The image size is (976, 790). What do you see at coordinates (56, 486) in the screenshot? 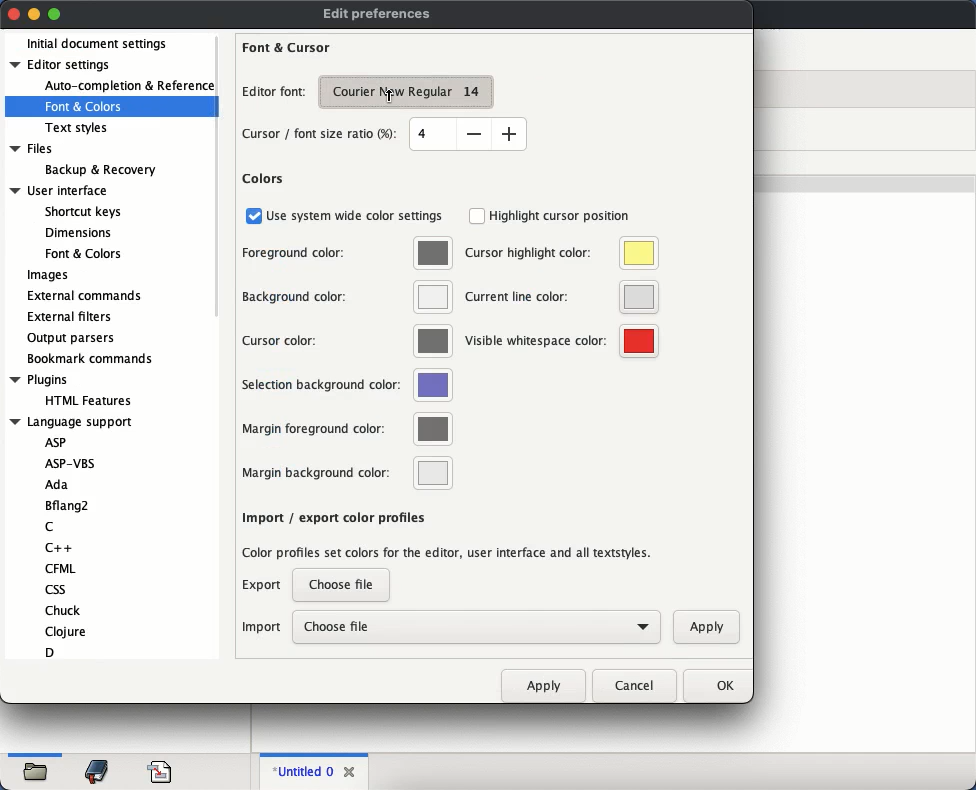
I see `Ada` at bounding box center [56, 486].